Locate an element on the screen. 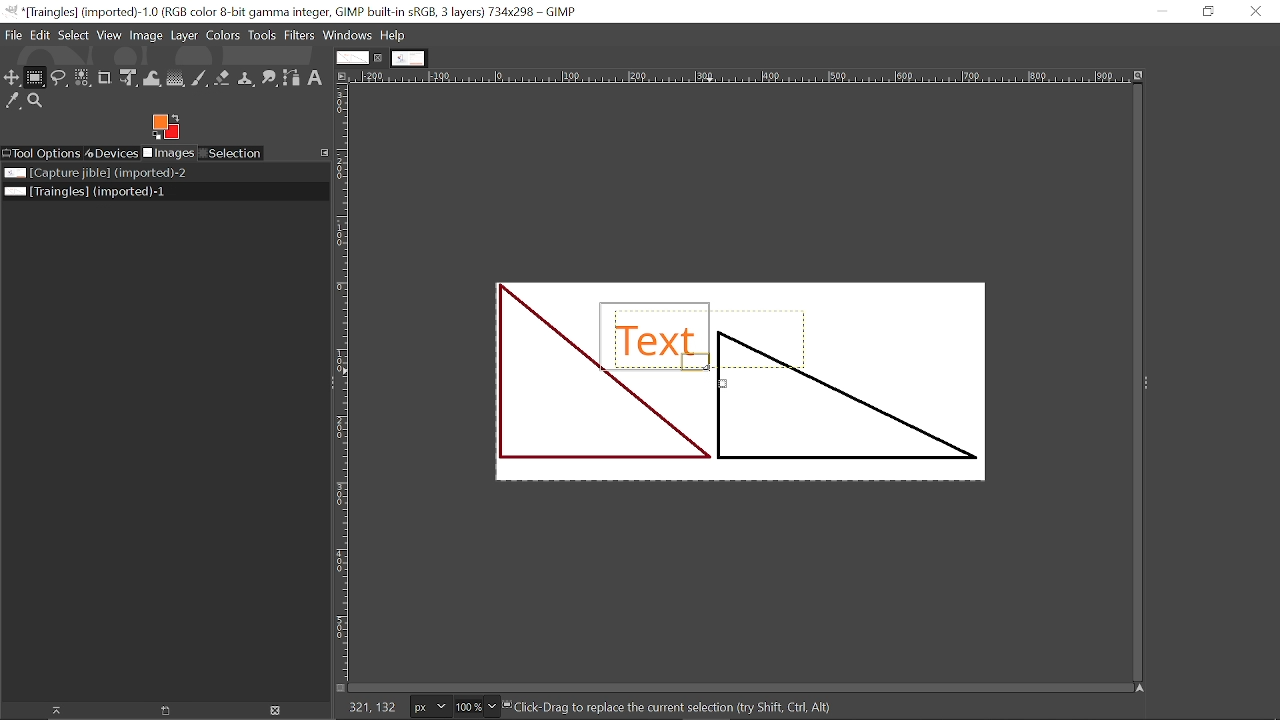 Image resolution: width=1280 pixels, height=720 pixels. Current image units is located at coordinates (425, 705).